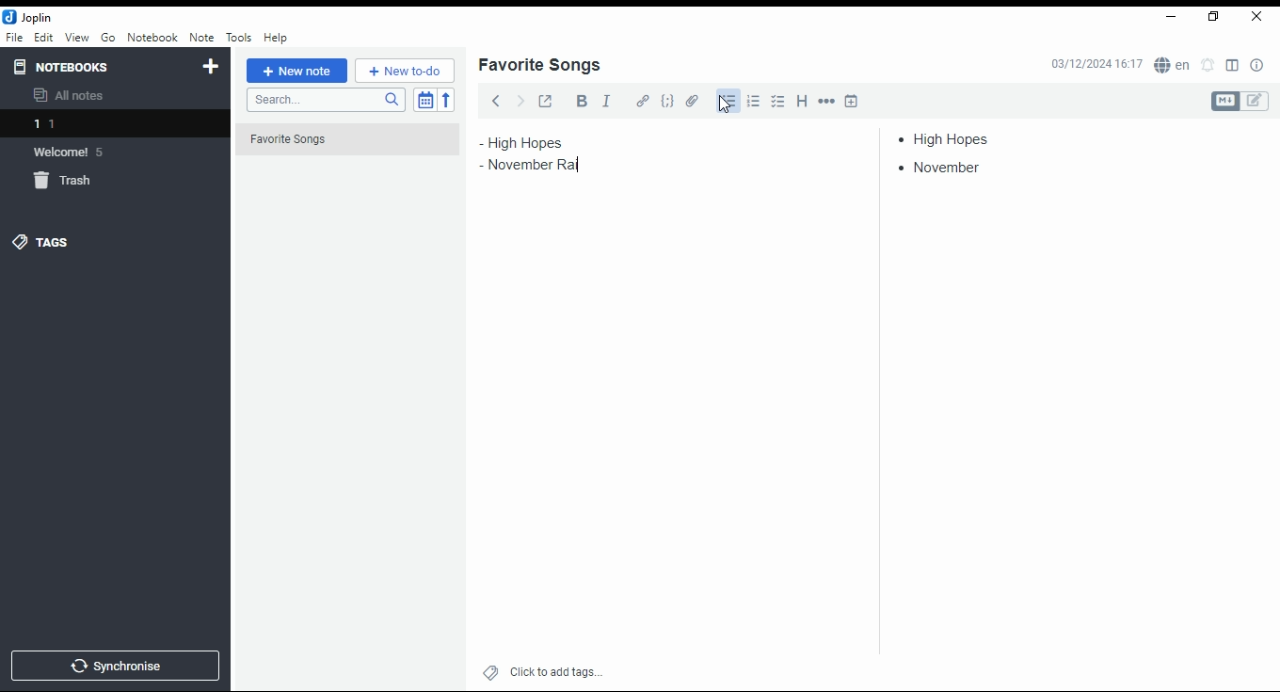 The height and width of the screenshot is (692, 1280). I want to click on november rain, so click(959, 168).